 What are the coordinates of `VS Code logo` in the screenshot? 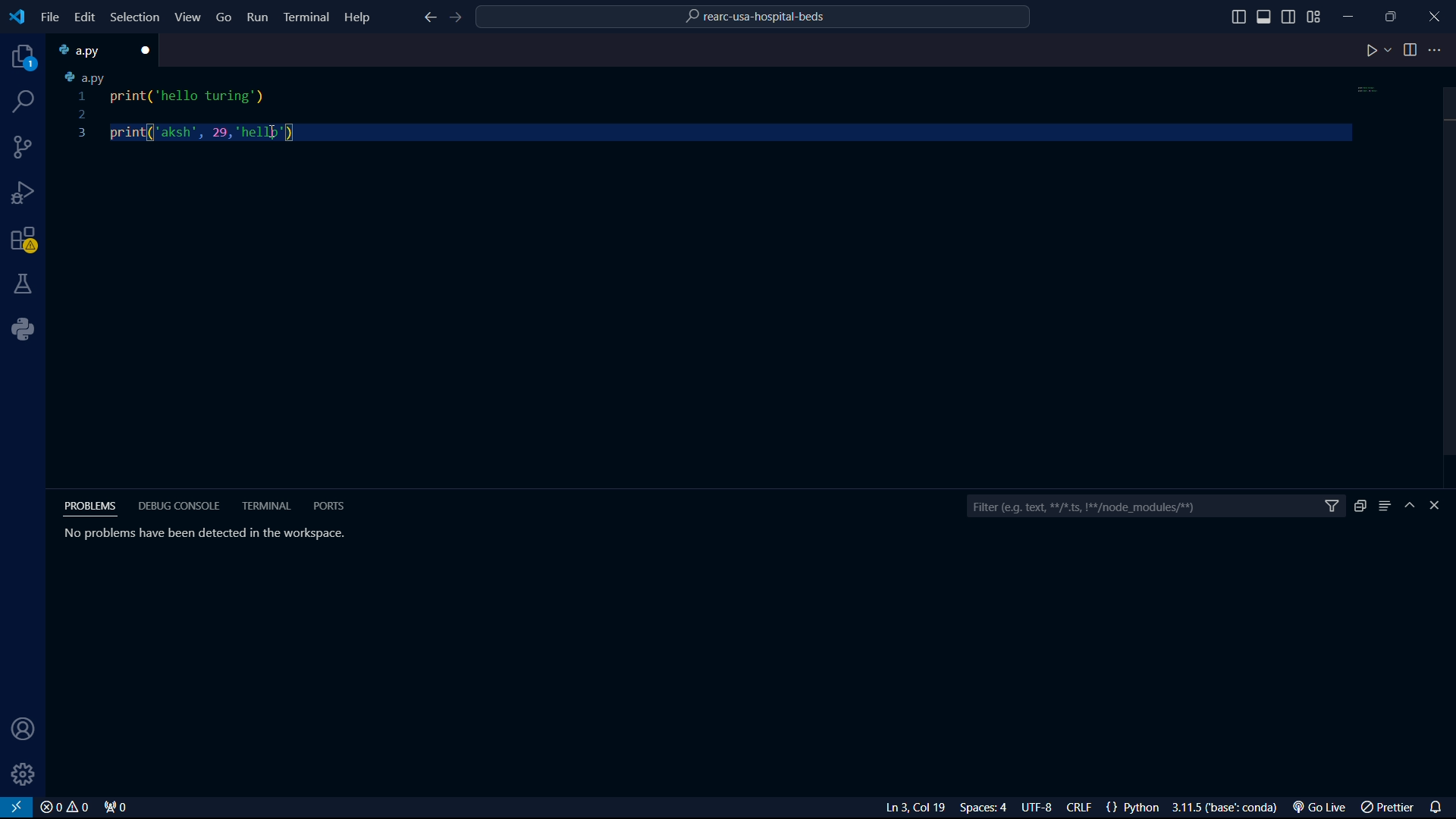 It's located at (15, 15).